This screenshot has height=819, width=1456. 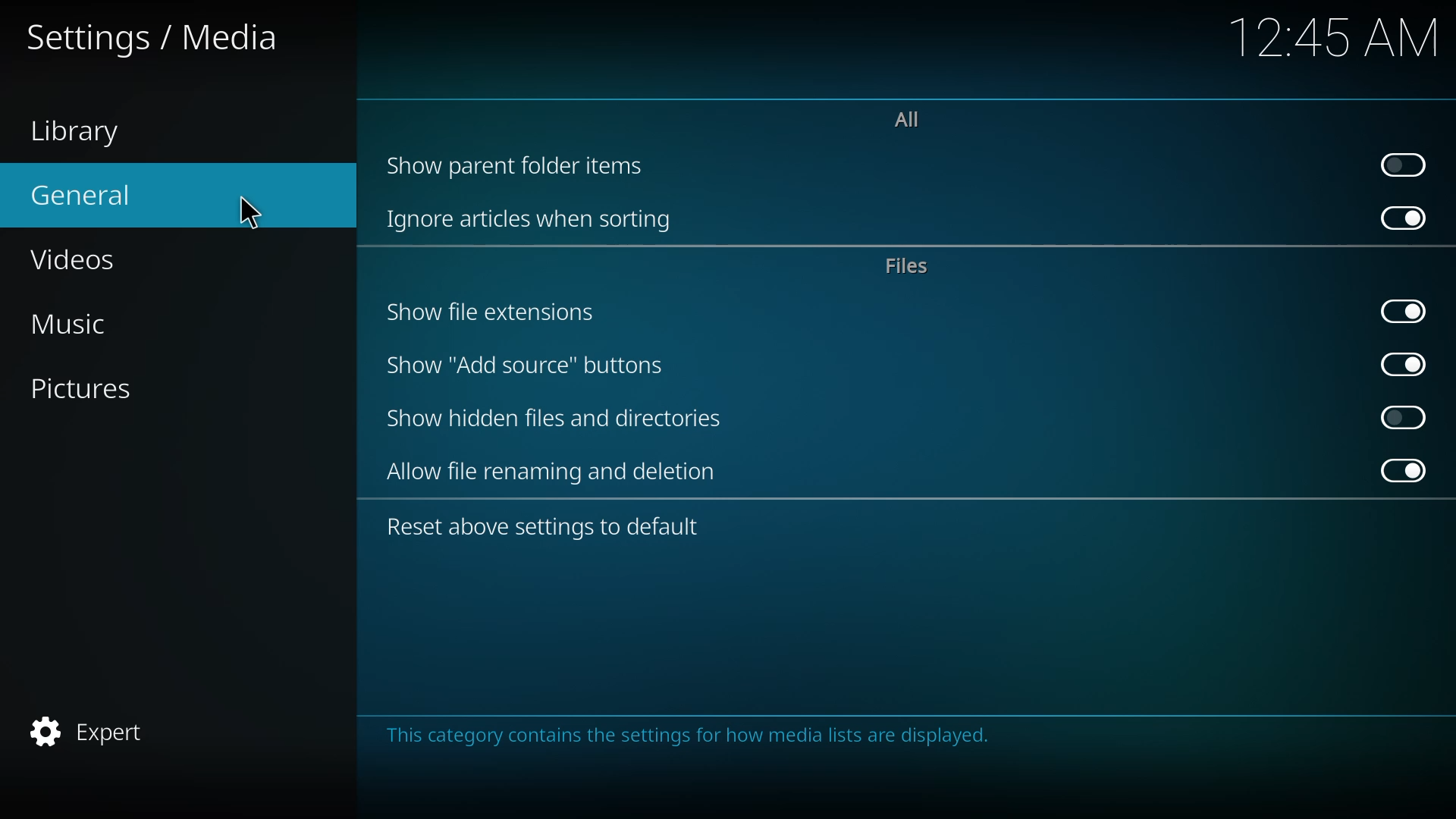 I want to click on settings media, so click(x=153, y=37).